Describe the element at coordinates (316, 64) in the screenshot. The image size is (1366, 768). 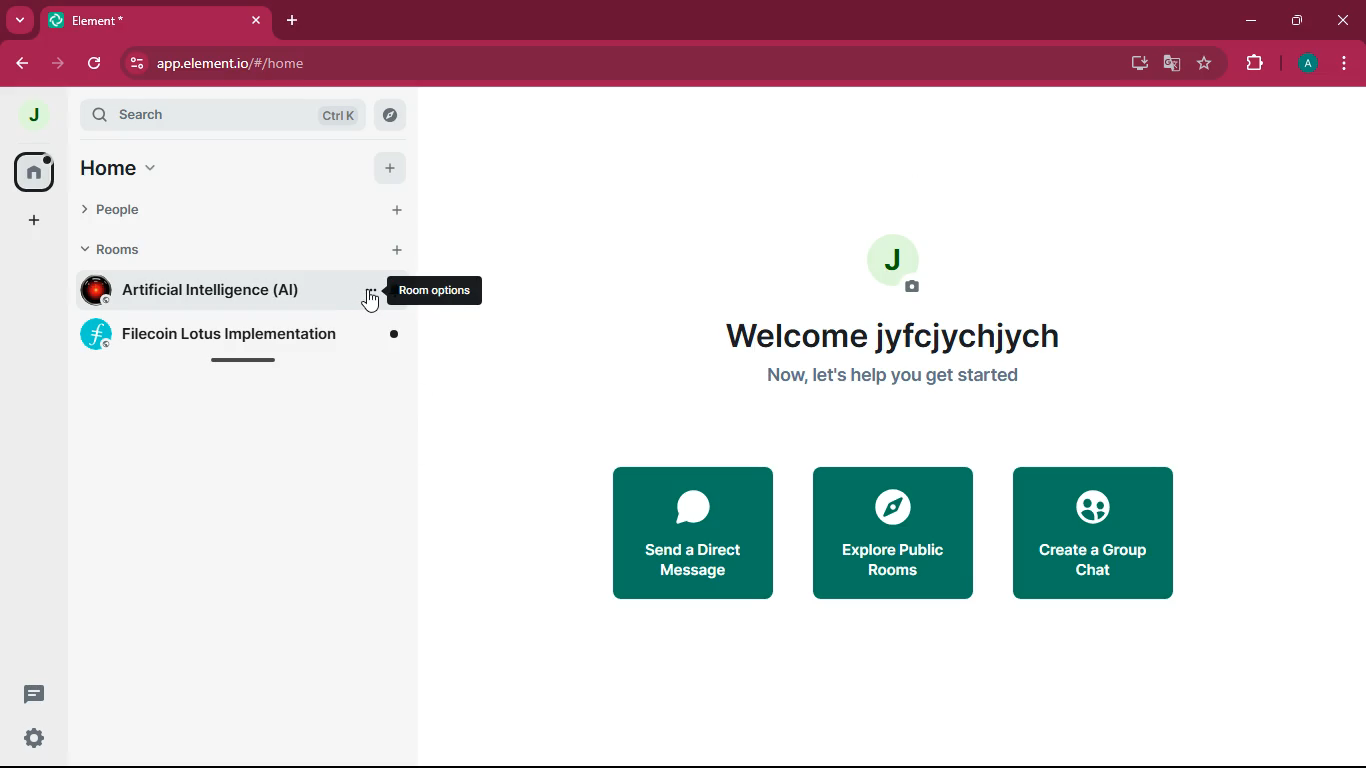
I see `url` at that location.